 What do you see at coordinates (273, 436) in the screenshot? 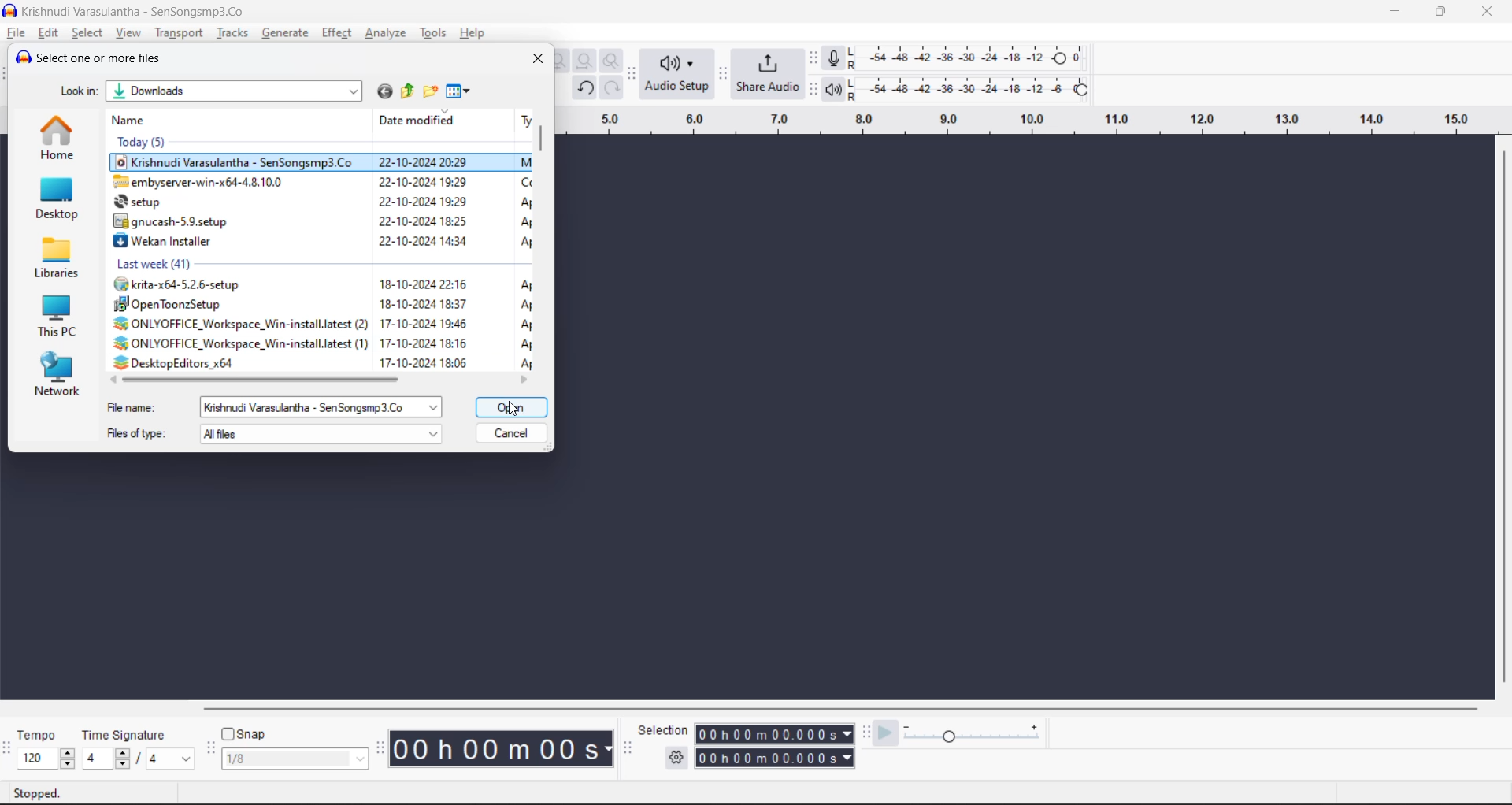
I see `file type` at bounding box center [273, 436].